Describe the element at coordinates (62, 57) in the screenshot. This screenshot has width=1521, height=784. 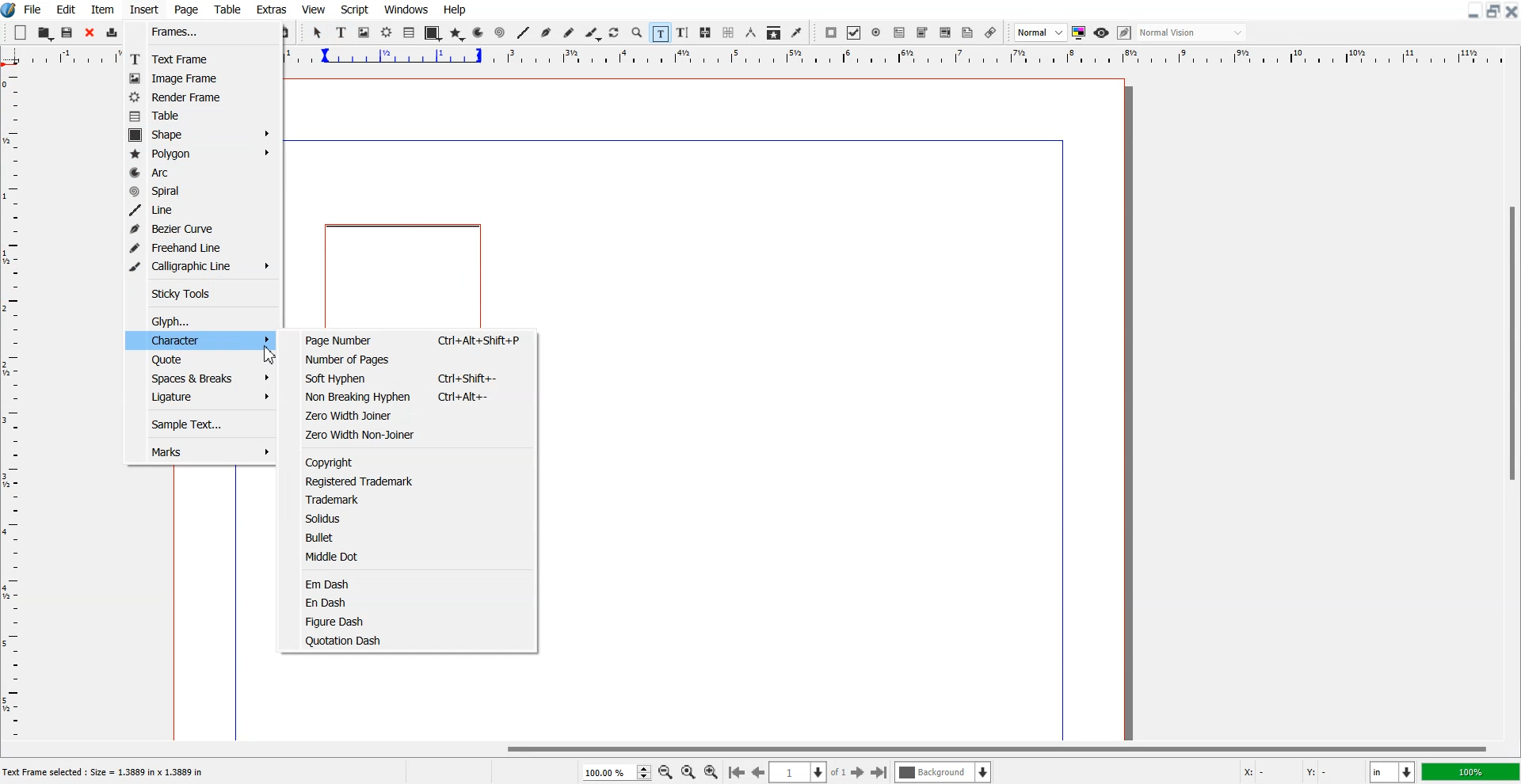
I see `Horizontal scale` at that location.